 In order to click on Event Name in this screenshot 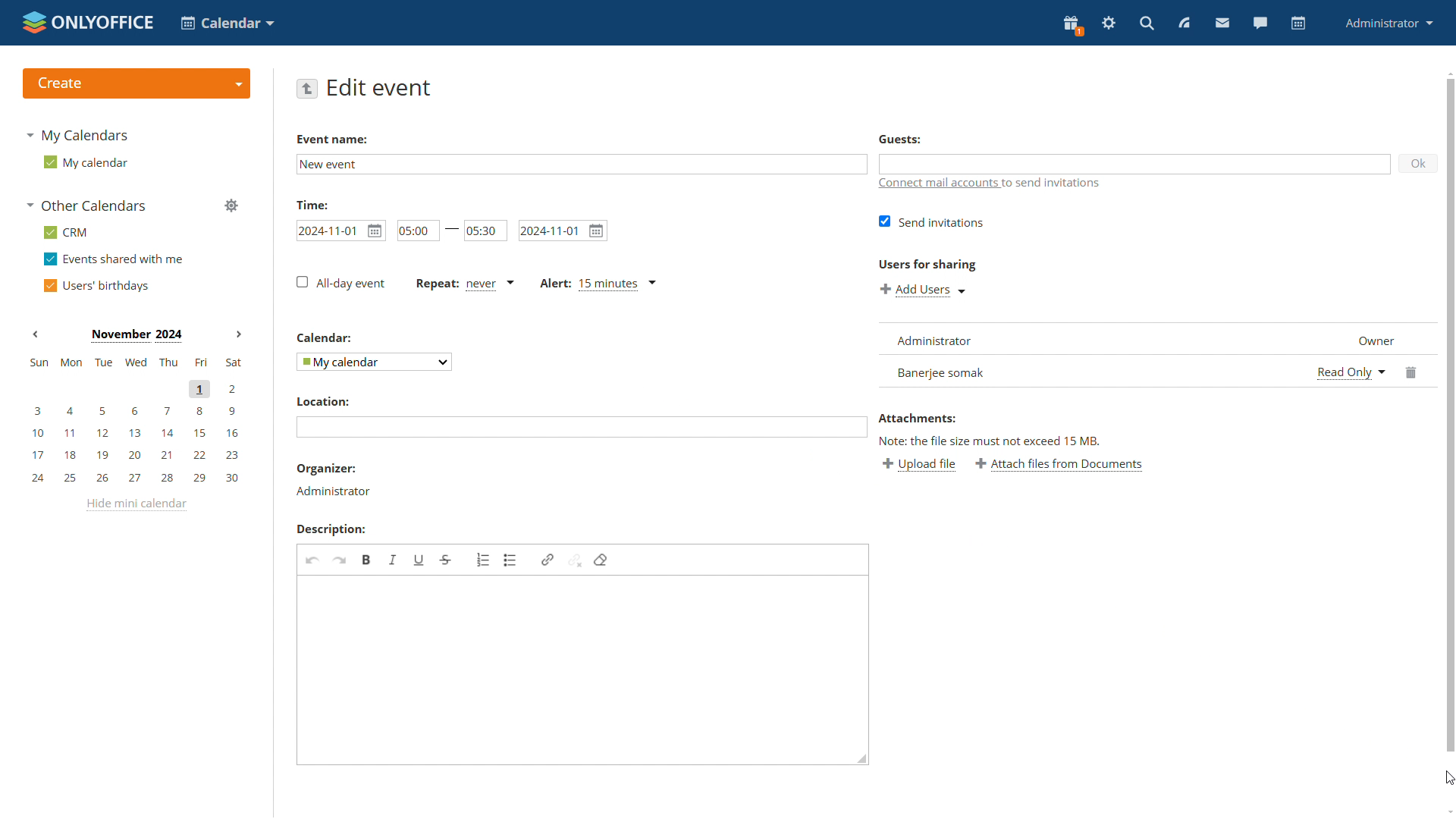, I will do `click(331, 140)`.